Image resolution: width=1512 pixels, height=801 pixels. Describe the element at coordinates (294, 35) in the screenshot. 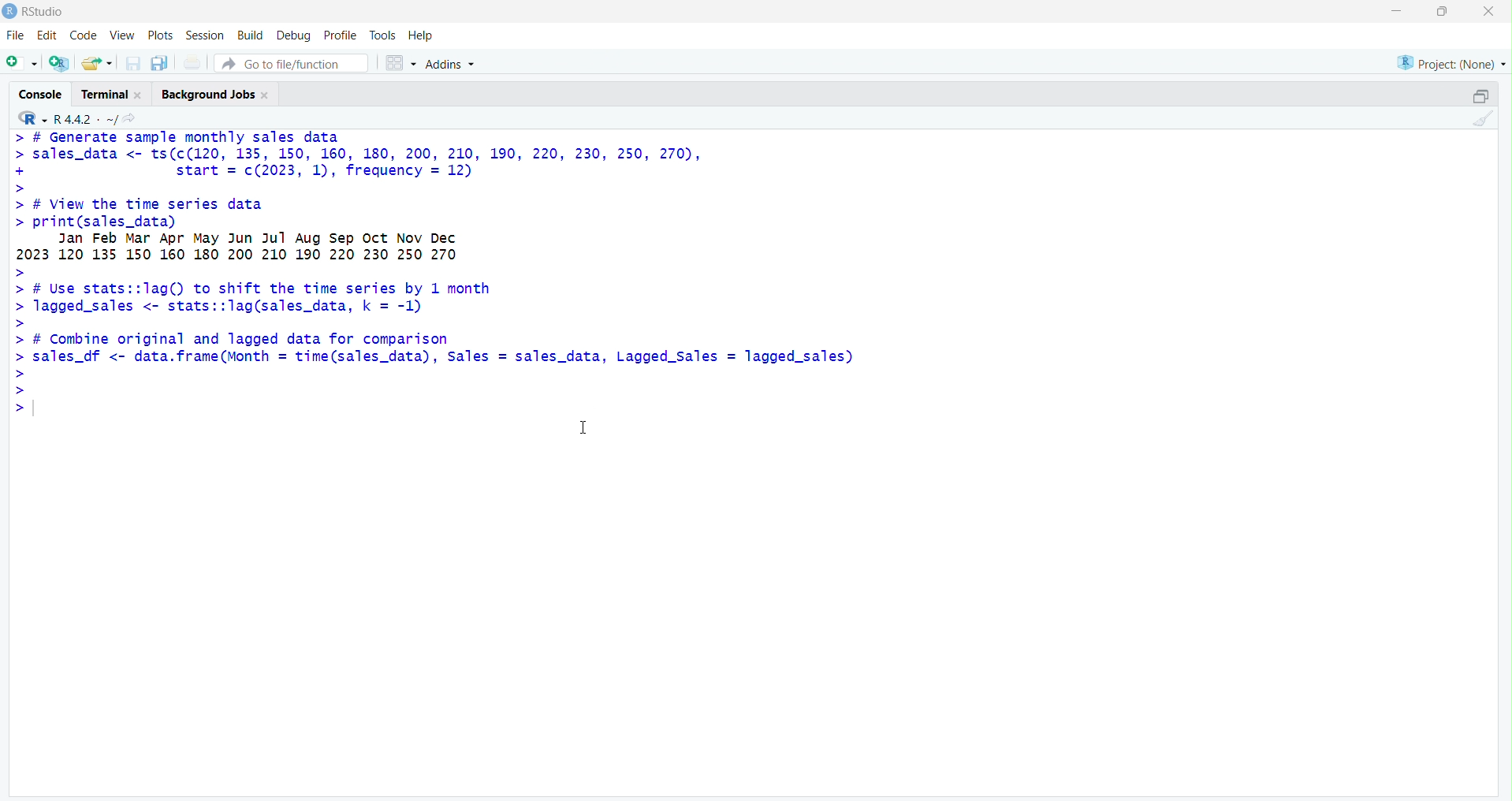

I see `debug` at that location.